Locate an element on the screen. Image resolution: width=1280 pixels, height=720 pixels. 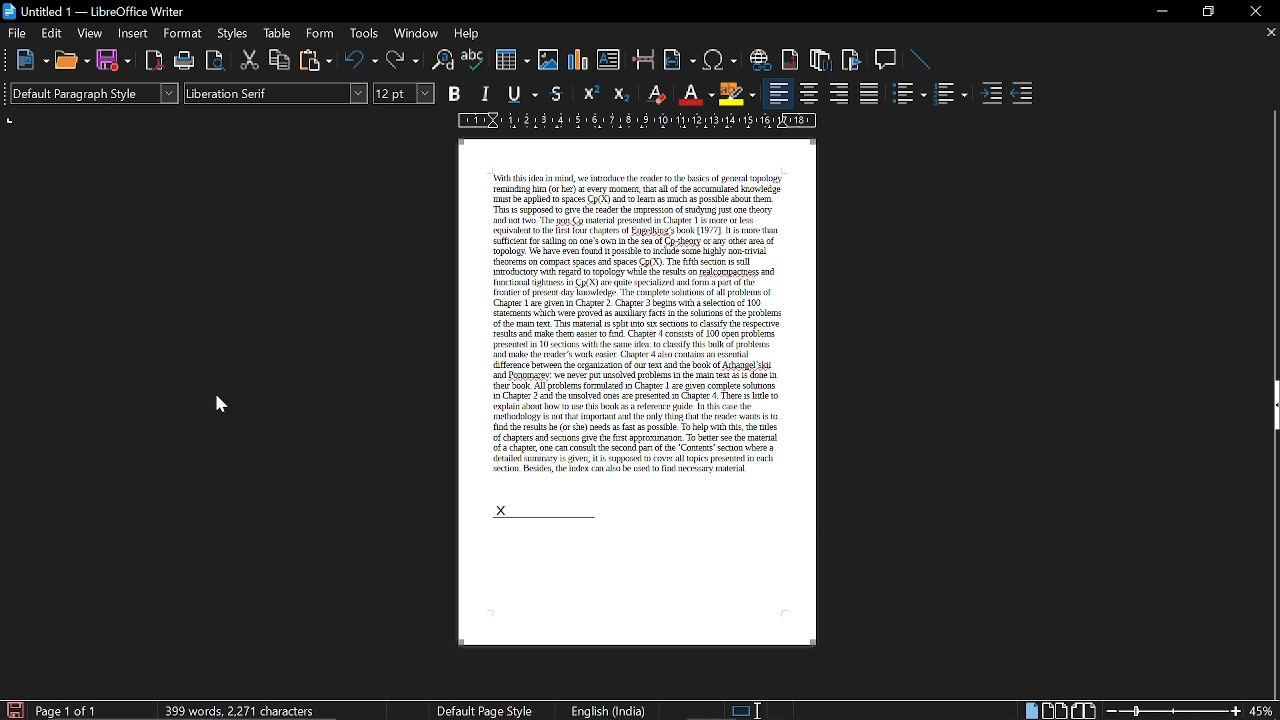
multiple page view is located at coordinates (1055, 711).